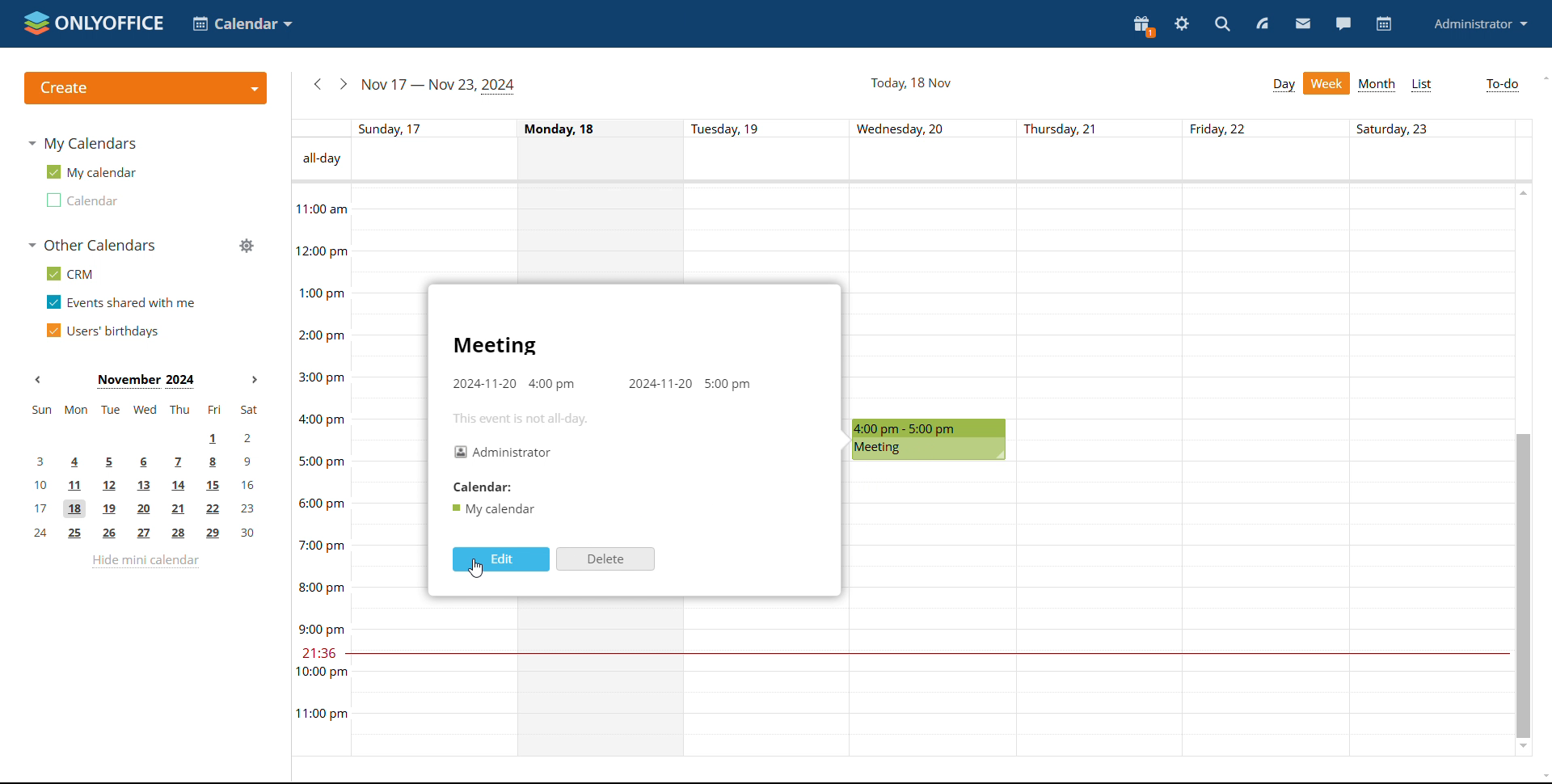  Describe the element at coordinates (145, 472) in the screenshot. I see `mini calendar` at that location.